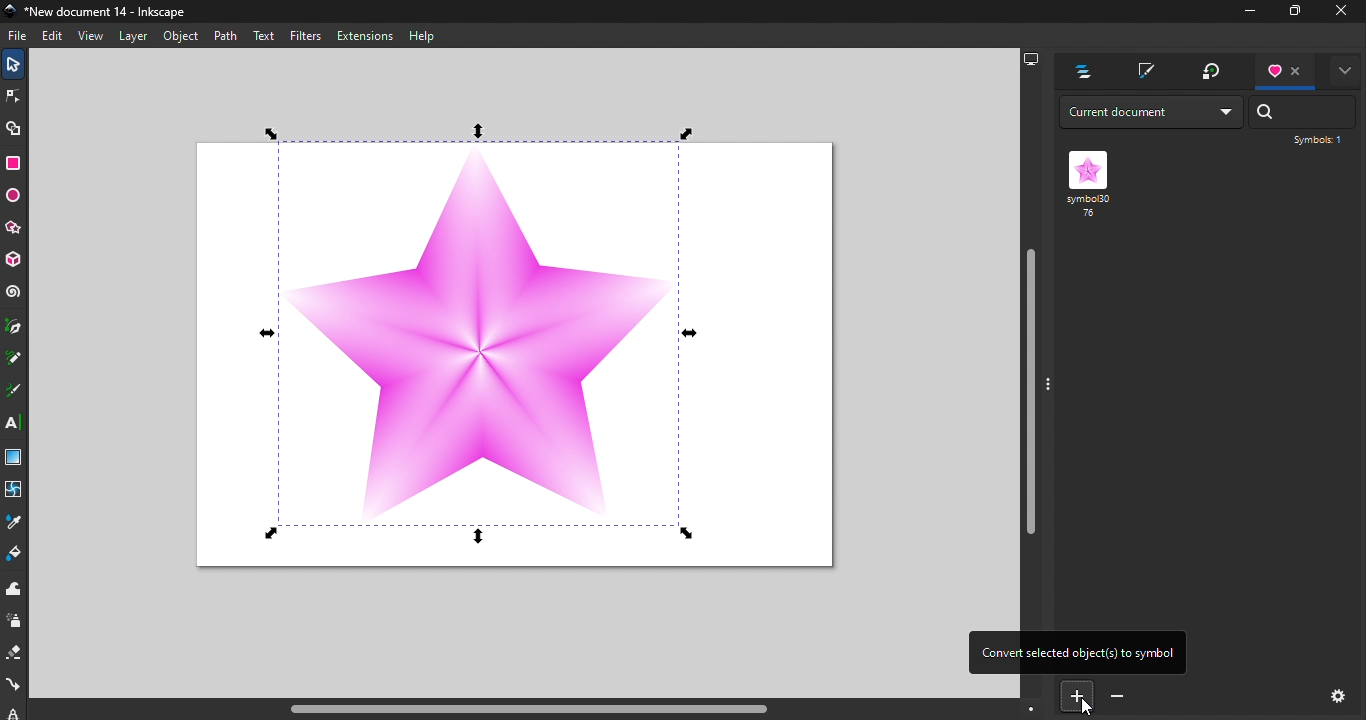 This screenshot has width=1366, height=720. I want to click on Gradient tool, so click(15, 458).